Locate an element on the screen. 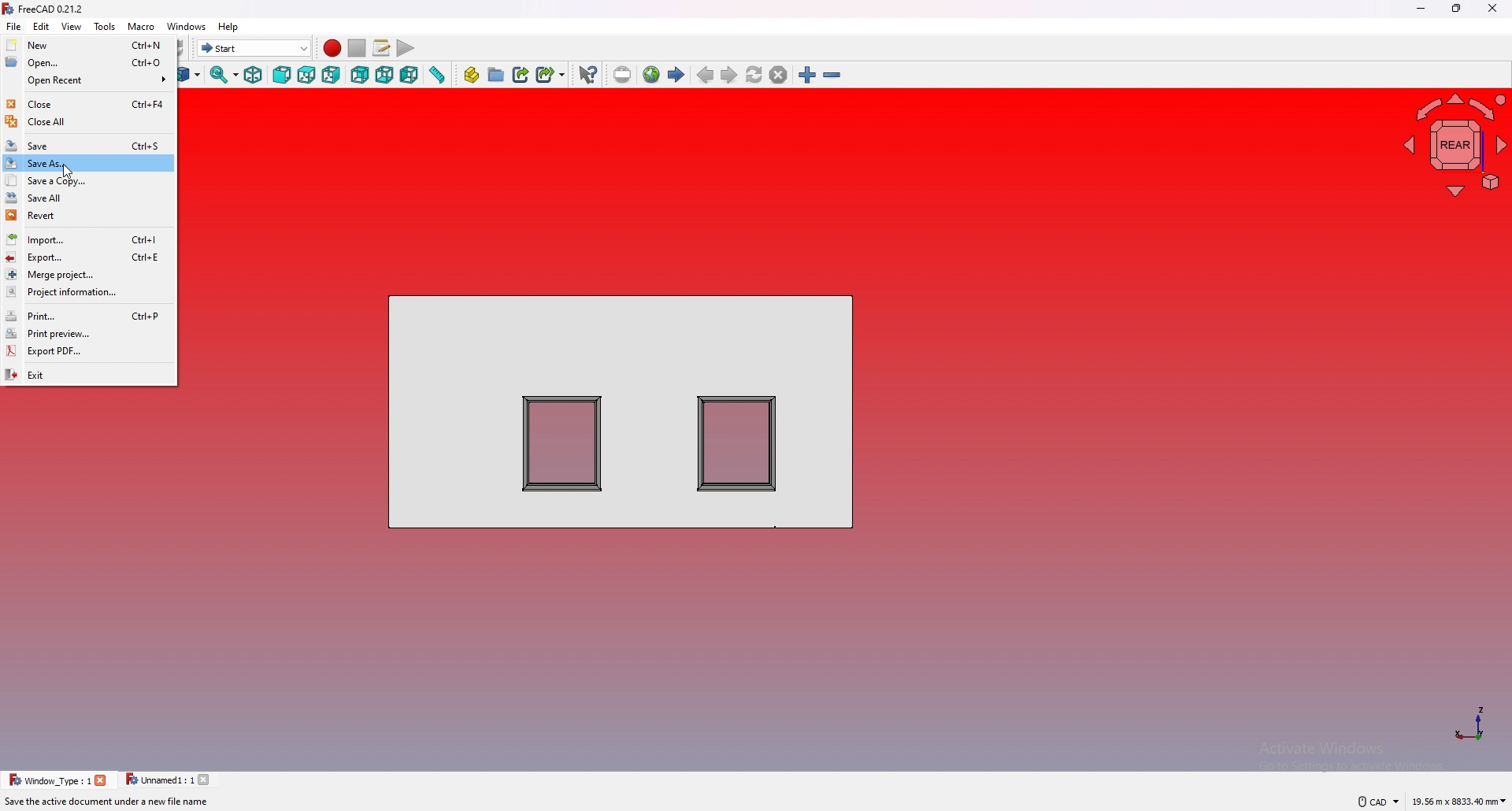 This screenshot has width=1512, height=811. Save the active document under a new file name is located at coordinates (107, 803).